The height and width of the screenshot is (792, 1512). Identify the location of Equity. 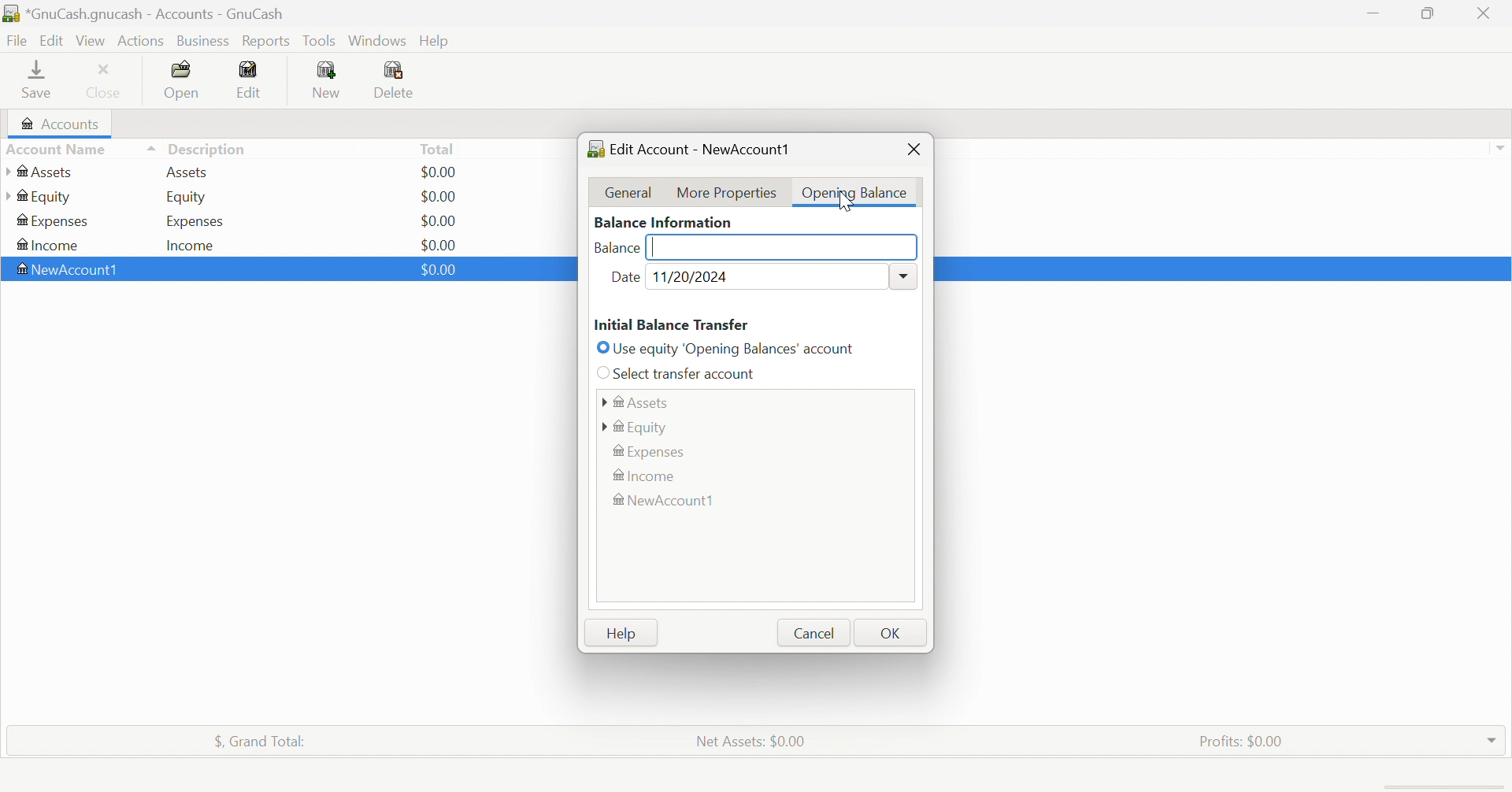
(187, 198).